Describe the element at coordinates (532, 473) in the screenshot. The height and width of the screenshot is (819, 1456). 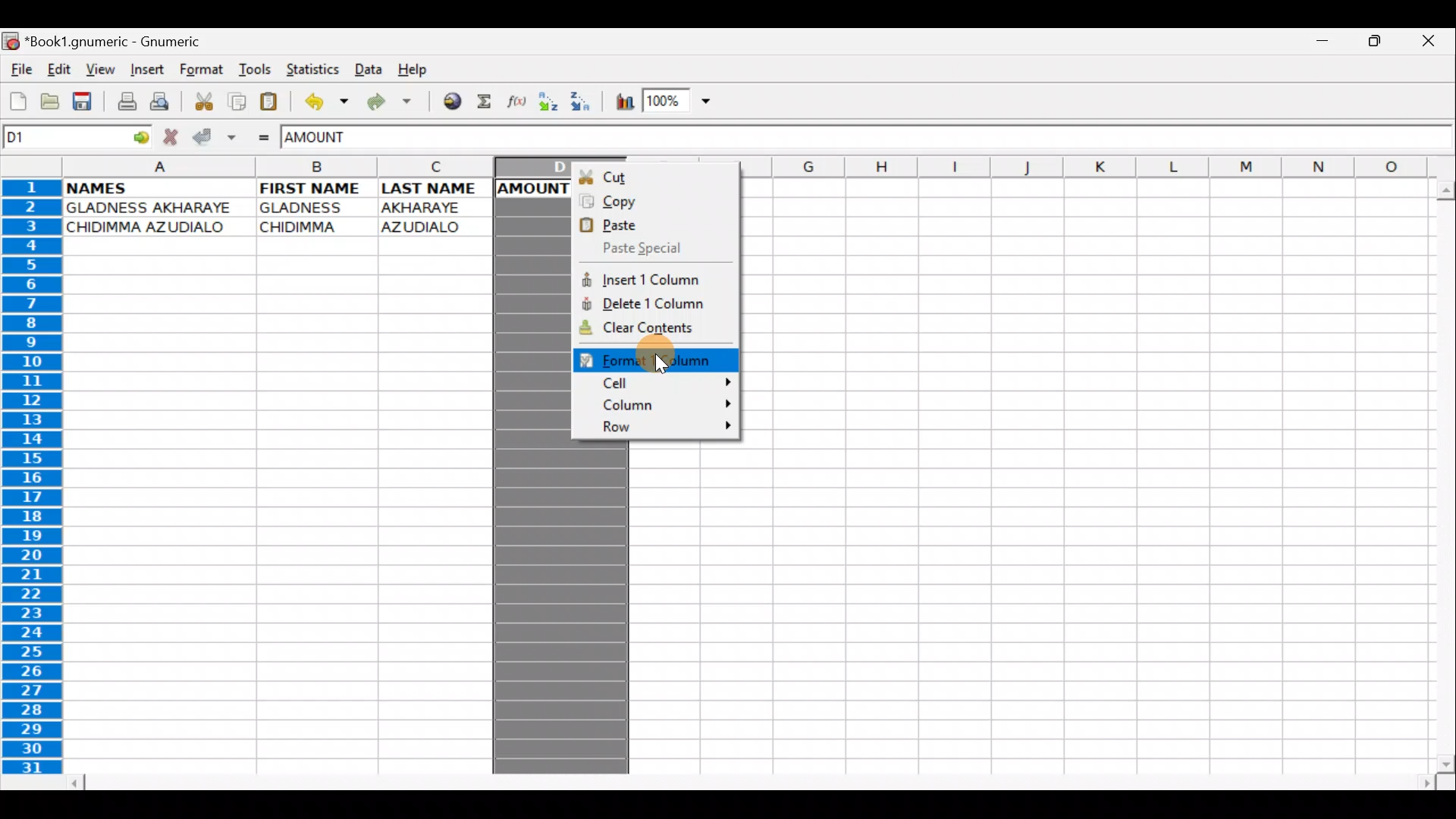
I see `Column D selected` at that location.